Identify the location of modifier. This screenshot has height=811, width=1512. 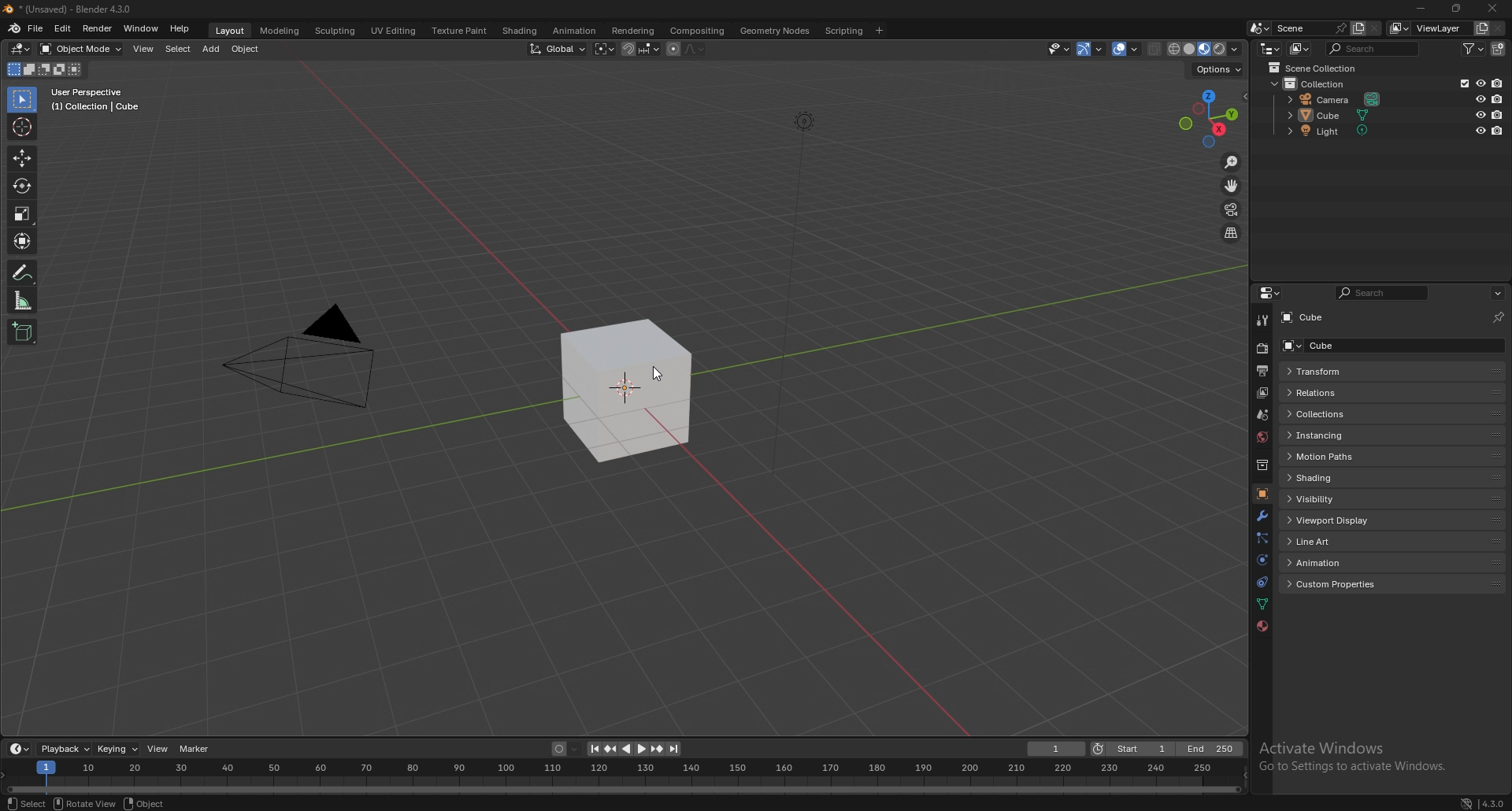
(1261, 517).